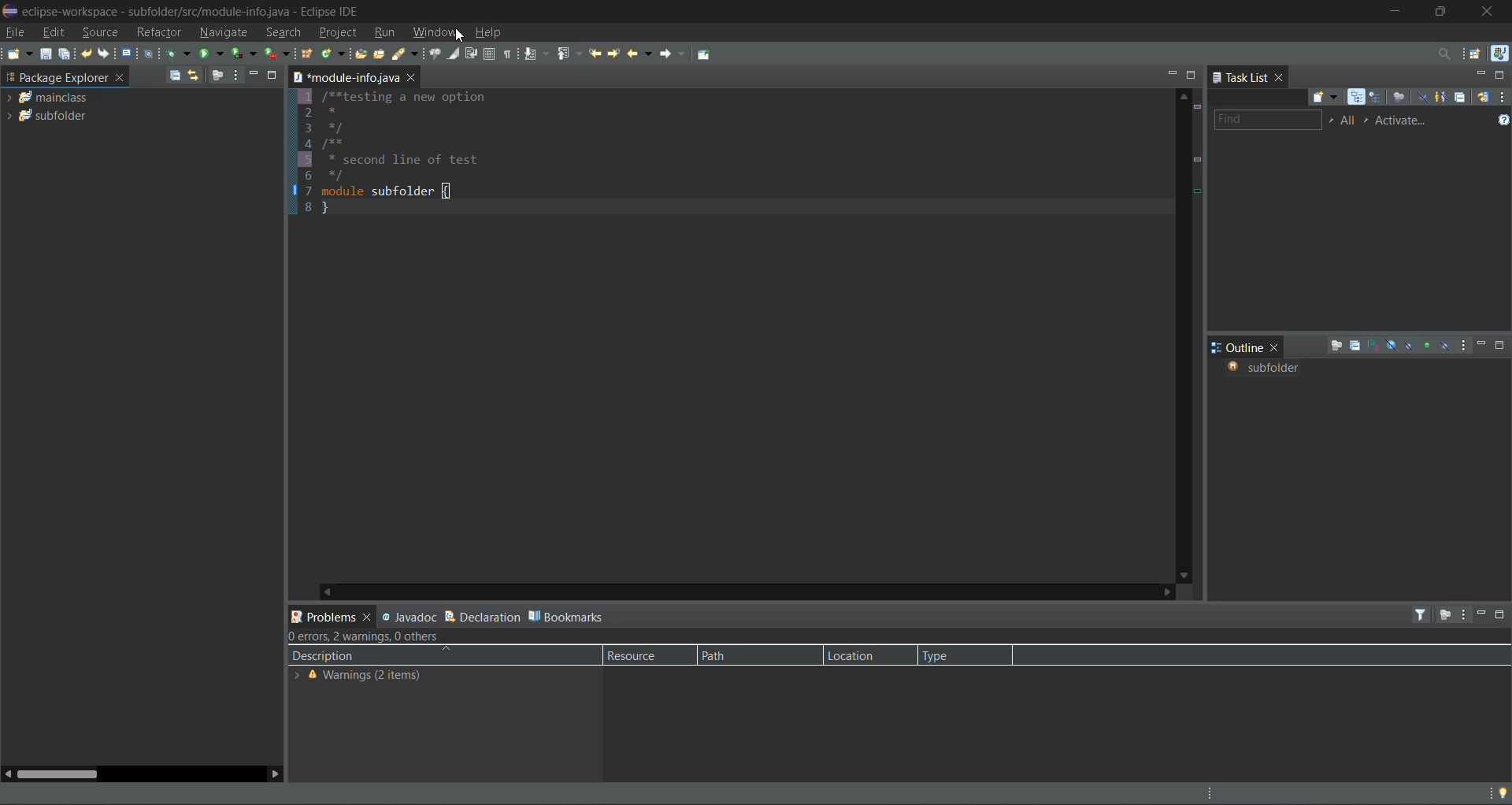  What do you see at coordinates (1321, 96) in the screenshot?
I see `new task` at bounding box center [1321, 96].